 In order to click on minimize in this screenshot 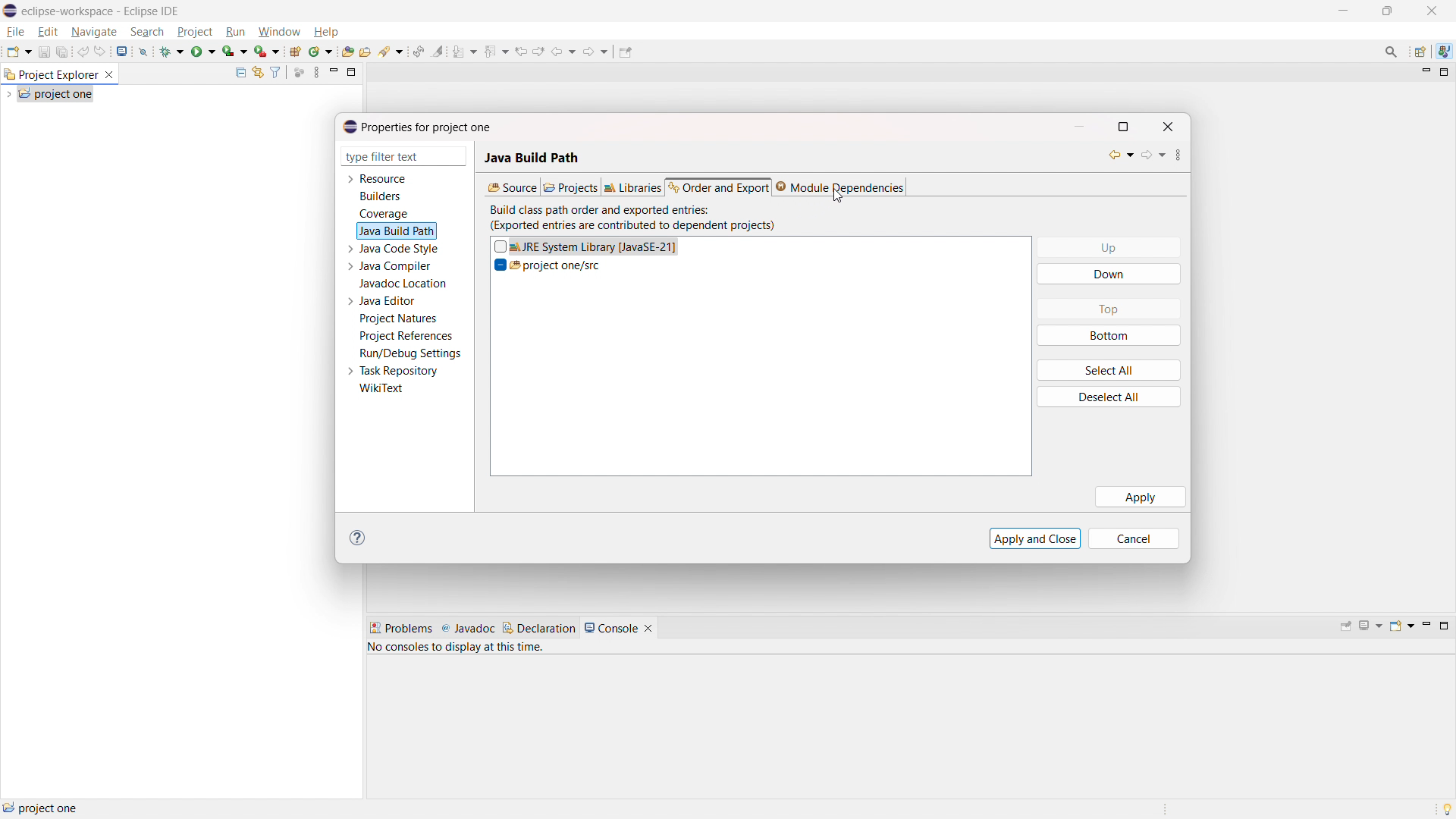, I will do `click(1388, 11)`.